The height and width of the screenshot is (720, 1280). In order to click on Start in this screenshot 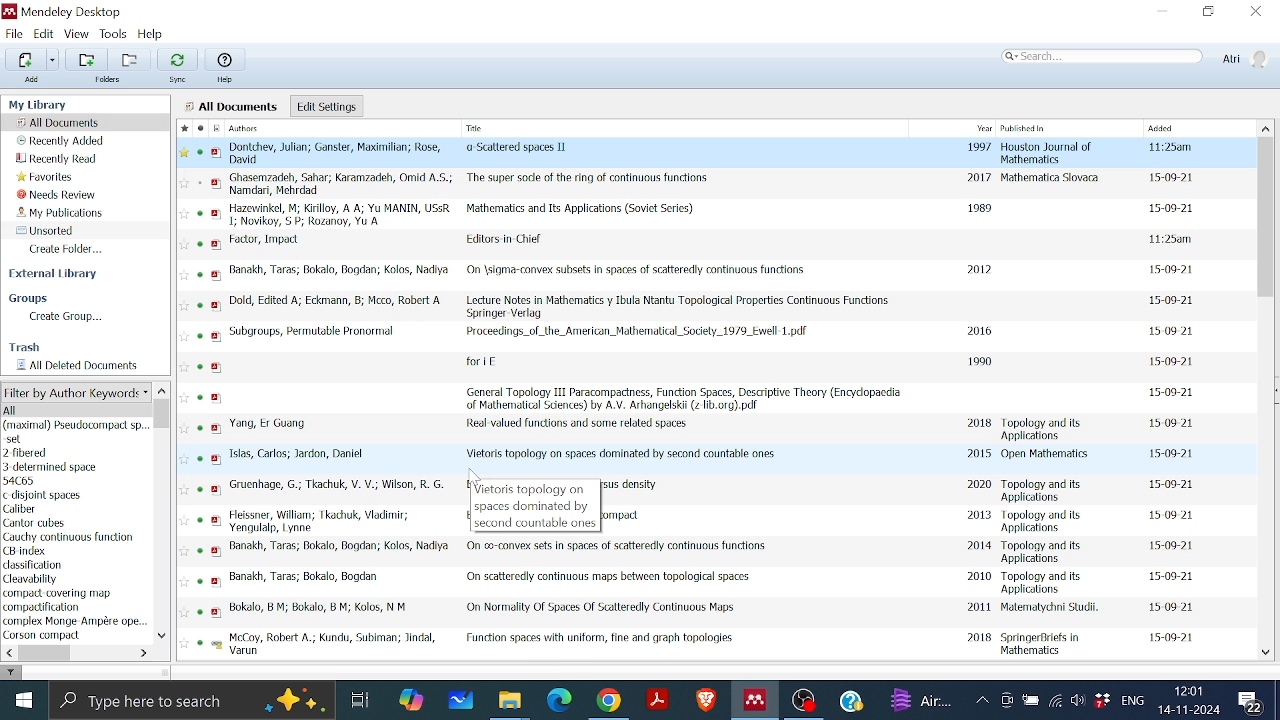, I will do `click(22, 699)`.